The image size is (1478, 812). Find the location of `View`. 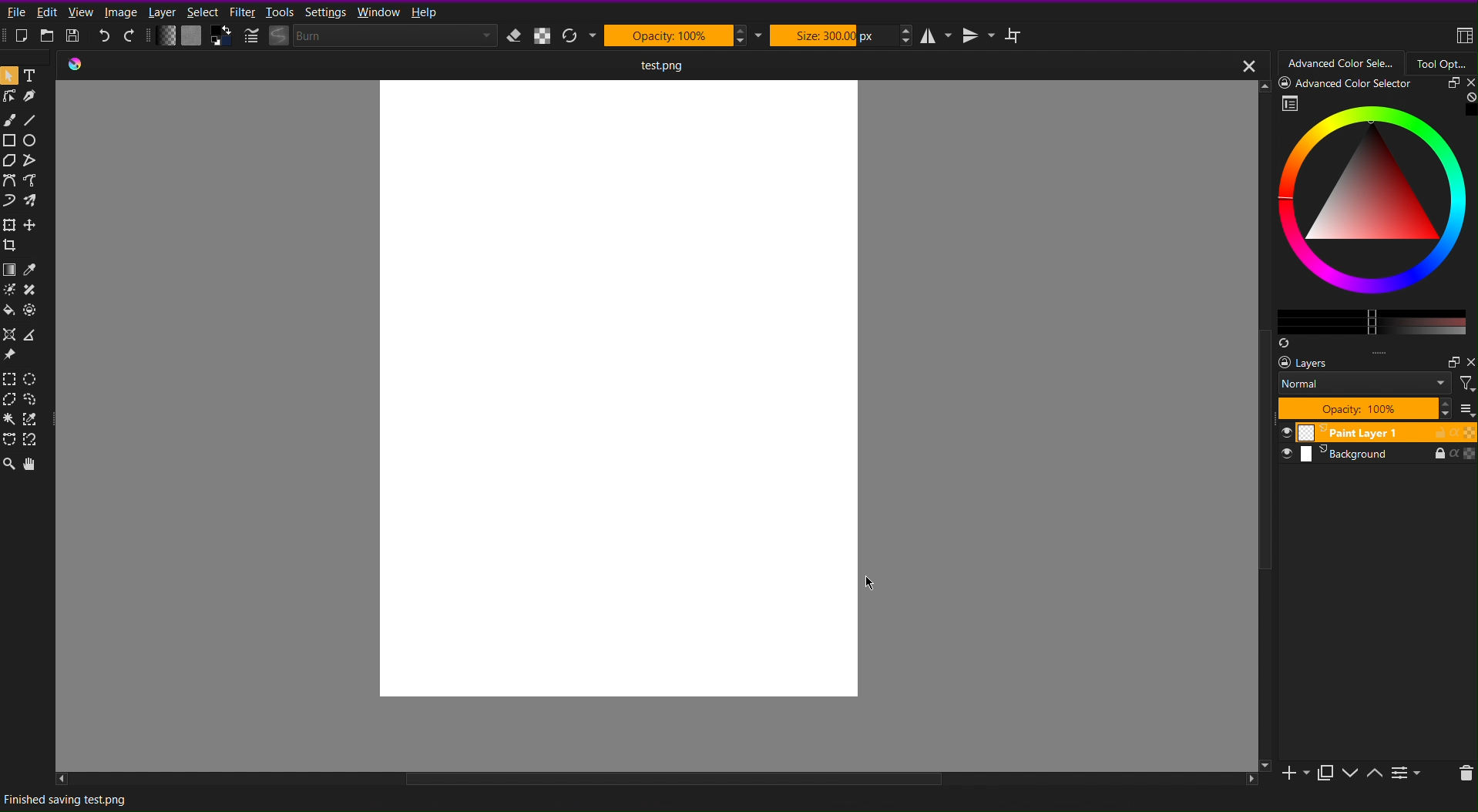

View is located at coordinates (82, 13).